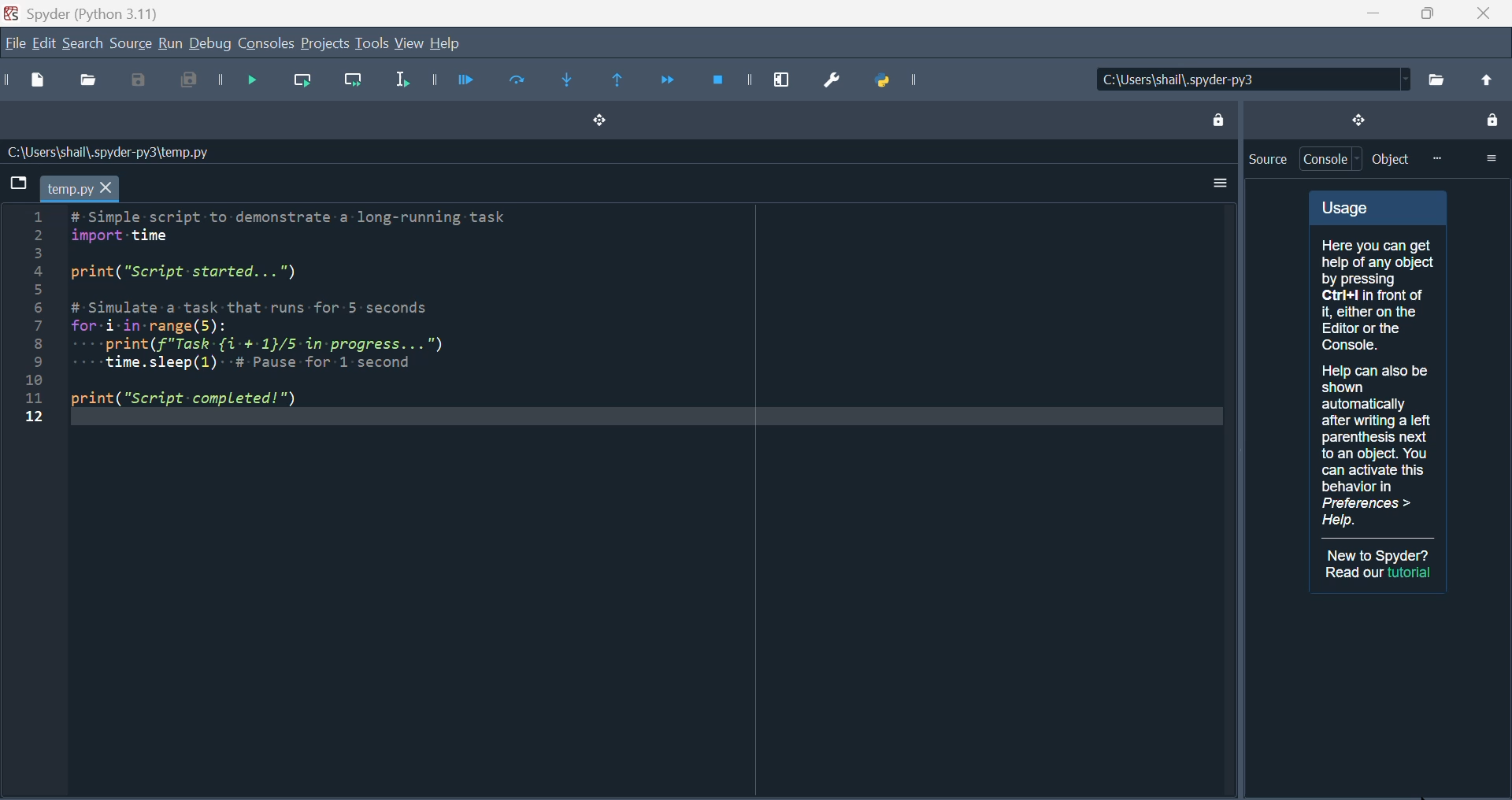  I want to click on lock, so click(1217, 117).